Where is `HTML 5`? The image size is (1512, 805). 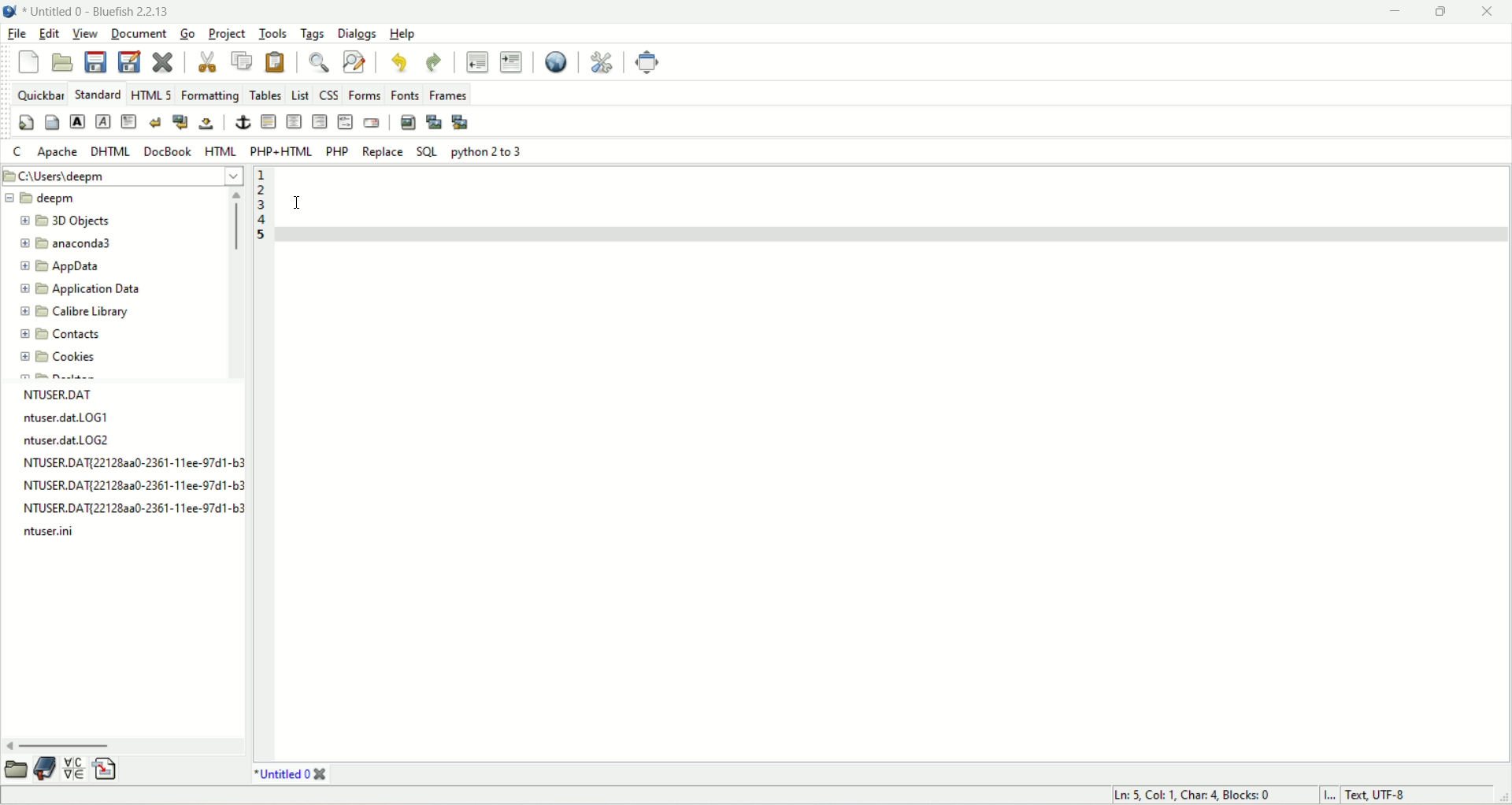
HTML 5 is located at coordinates (152, 95).